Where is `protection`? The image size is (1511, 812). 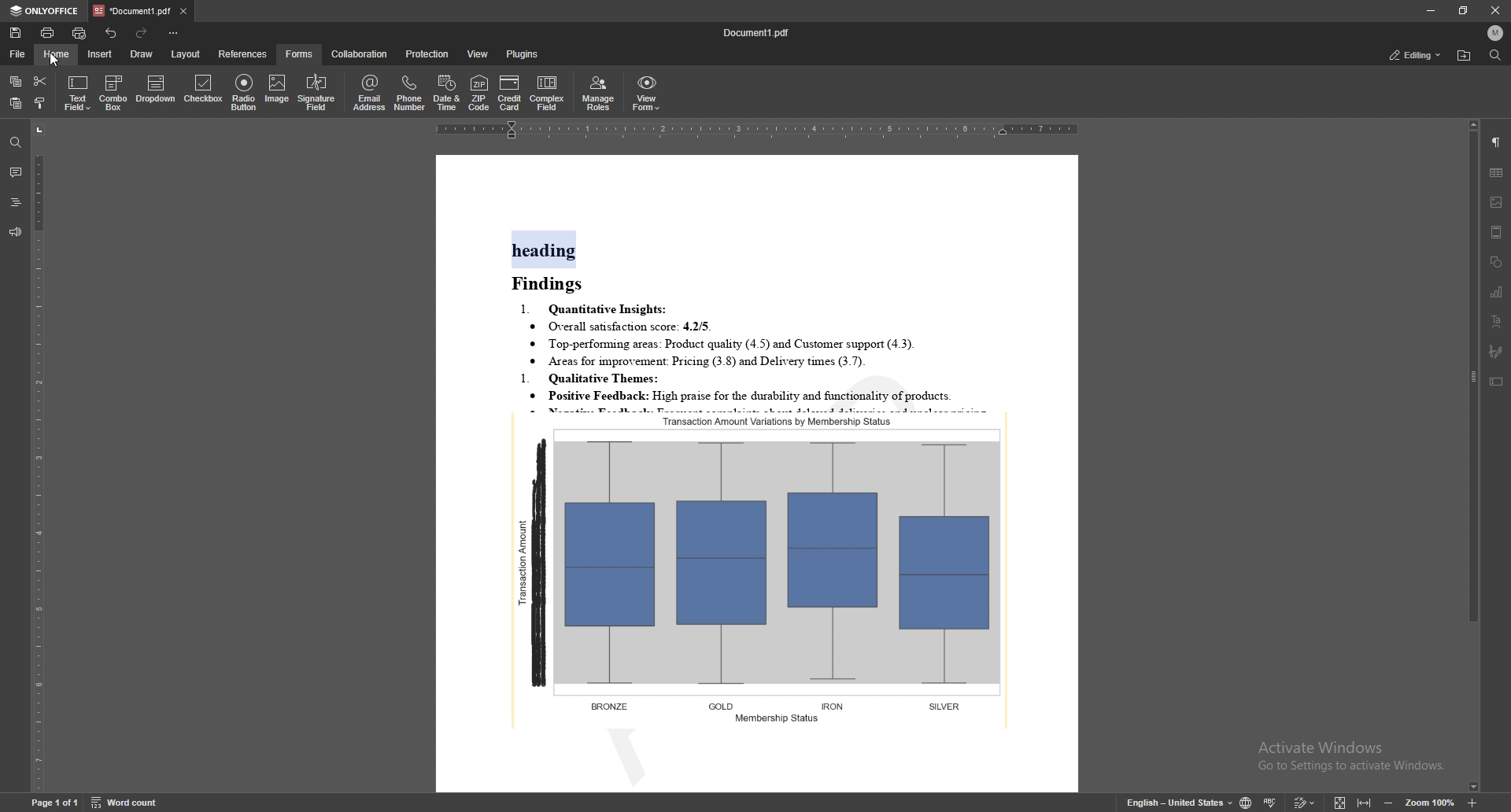 protection is located at coordinates (428, 54).